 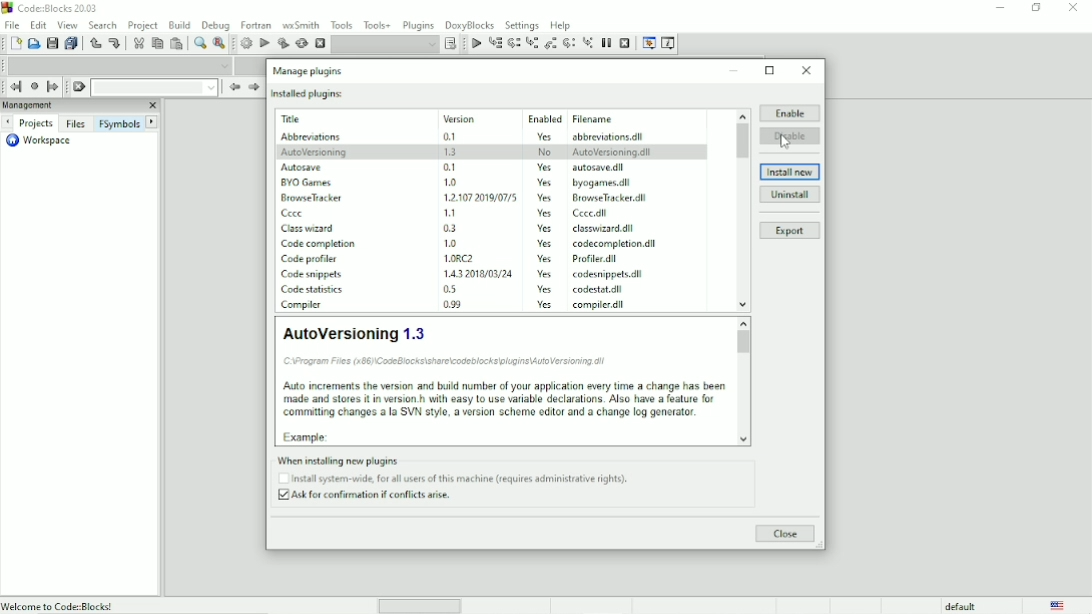 I want to click on Install now, so click(x=790, y=172).